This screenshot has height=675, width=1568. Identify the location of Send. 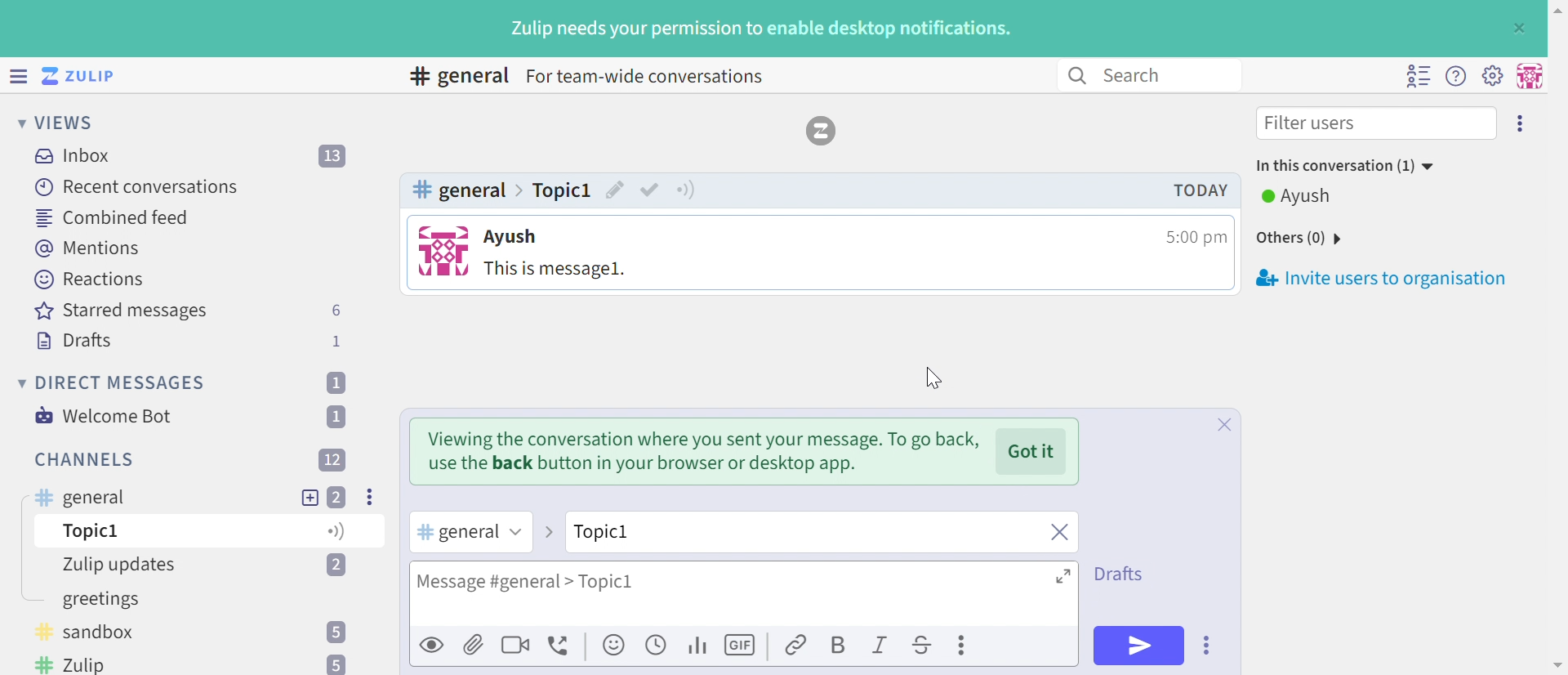
(1139, 645).